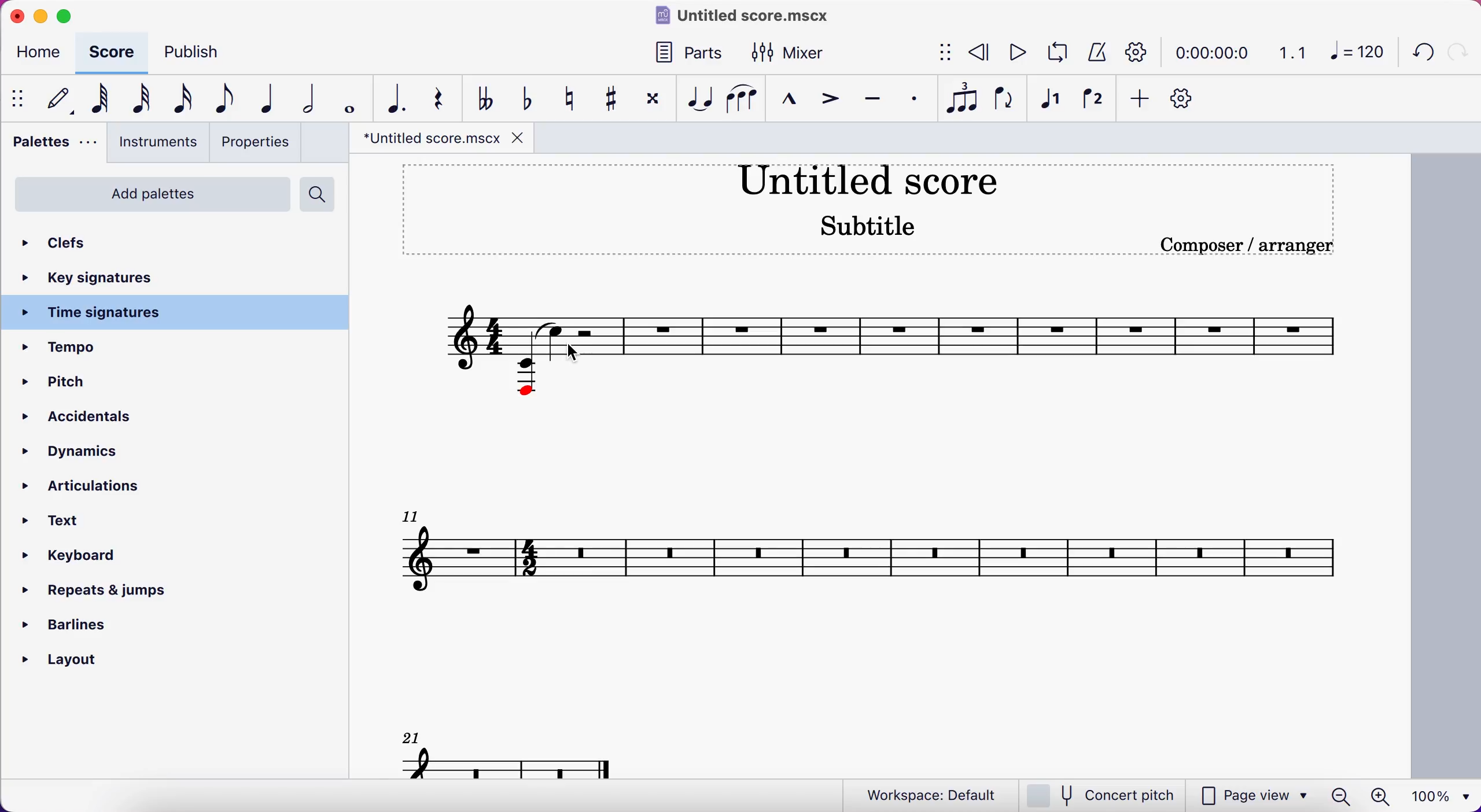 This screenshot has width=1481, height=812. I want to click on workspace: default, so click(929, 795).